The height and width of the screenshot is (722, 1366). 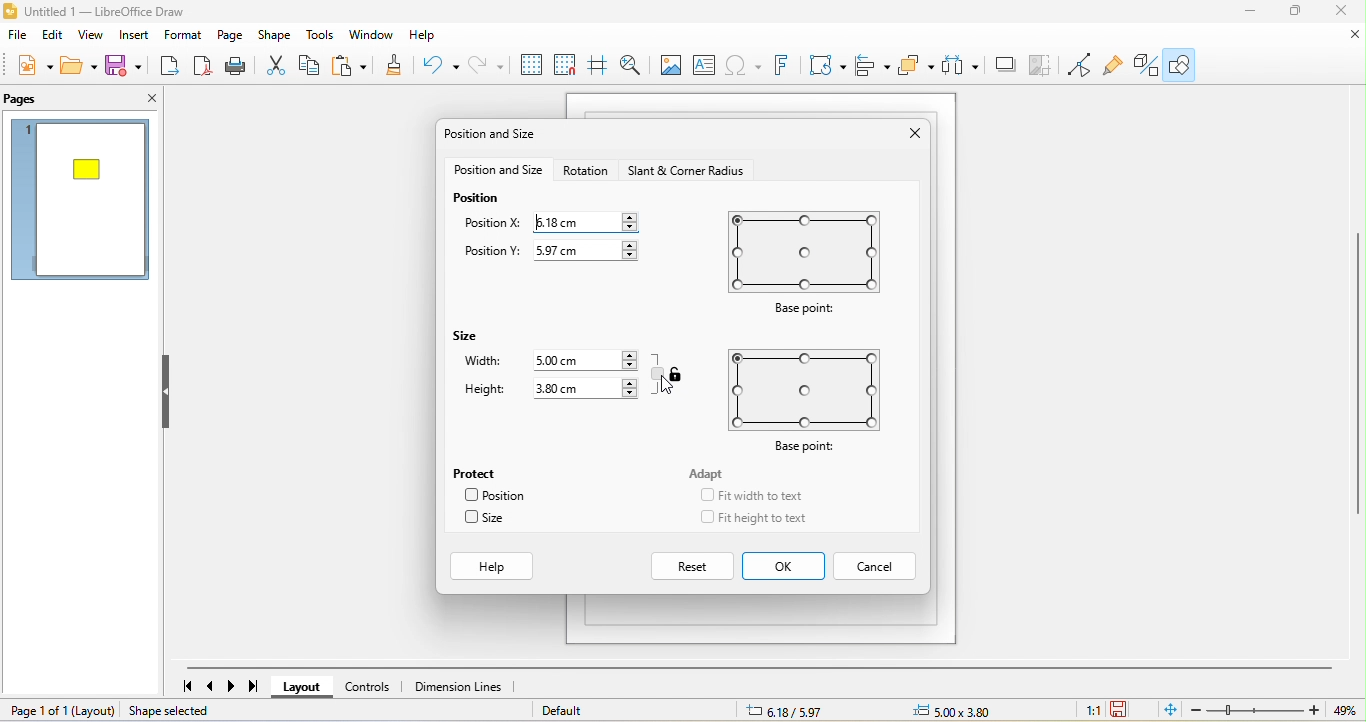 I want to click on start and corner radious, so click(x=685, y=171).